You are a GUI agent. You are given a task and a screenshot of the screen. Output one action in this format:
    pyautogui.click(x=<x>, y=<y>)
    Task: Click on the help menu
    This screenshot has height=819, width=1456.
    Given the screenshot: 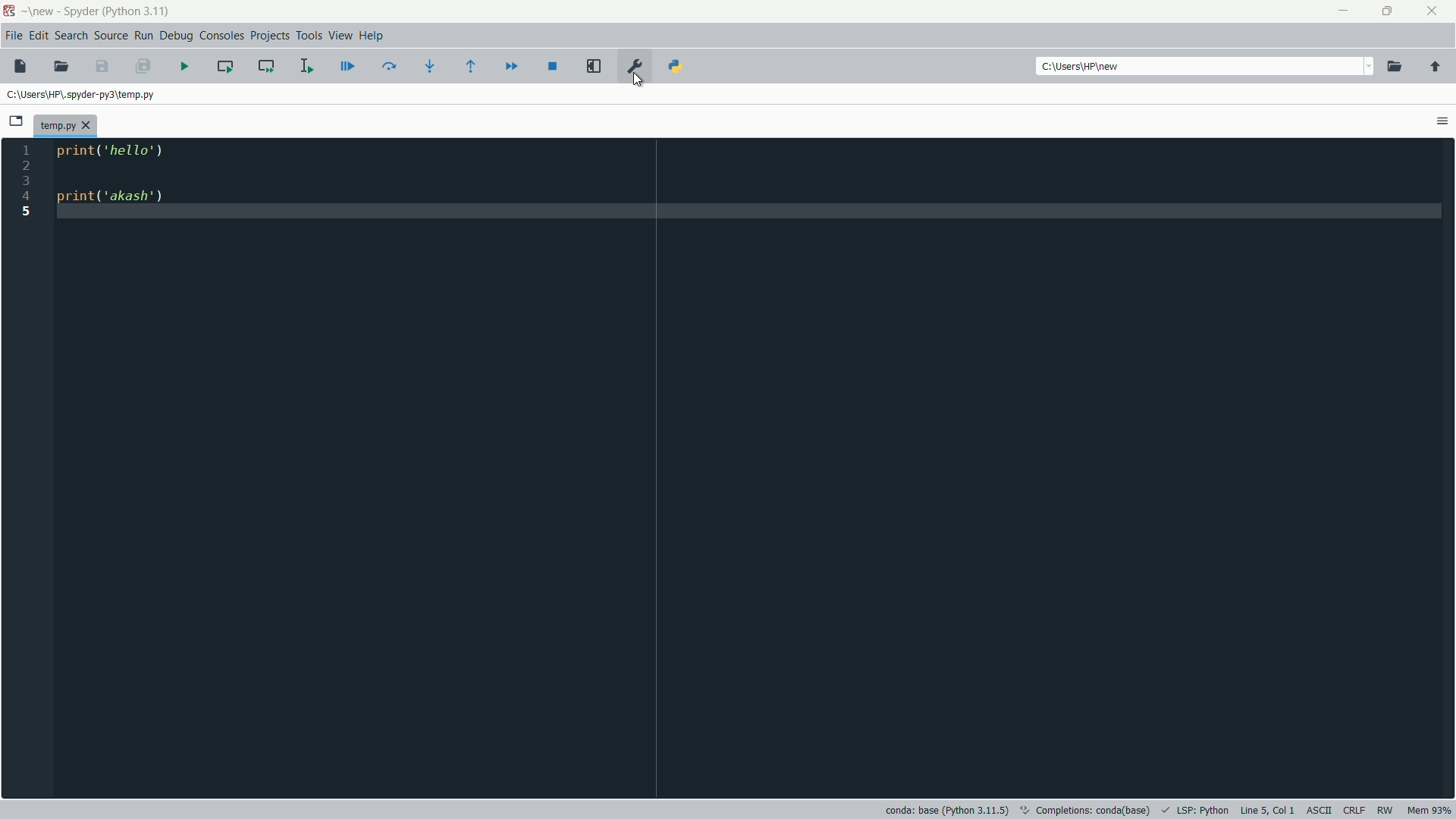 What is the action you would take?
    pyautogui.click(x=372, y=36)
    